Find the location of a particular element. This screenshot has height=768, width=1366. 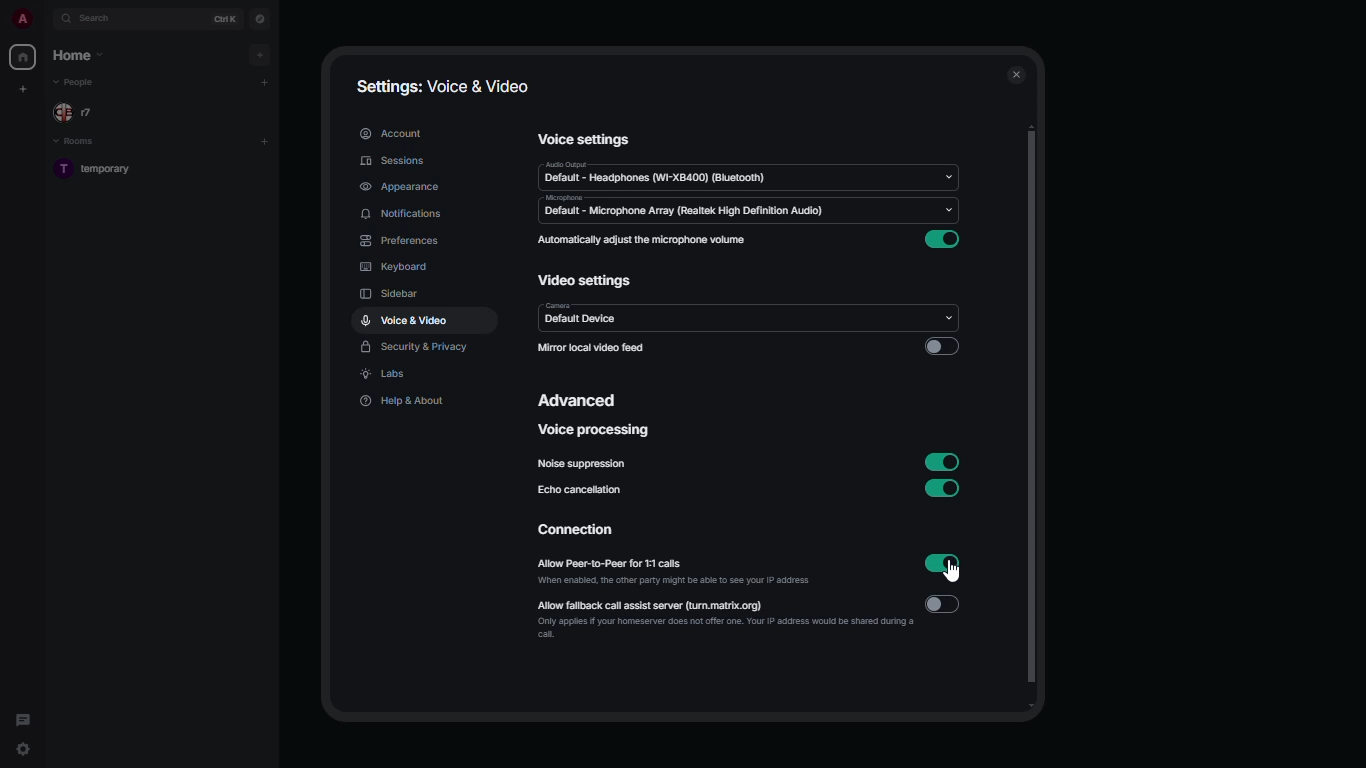

disabled is located at coordinates (943, 605).